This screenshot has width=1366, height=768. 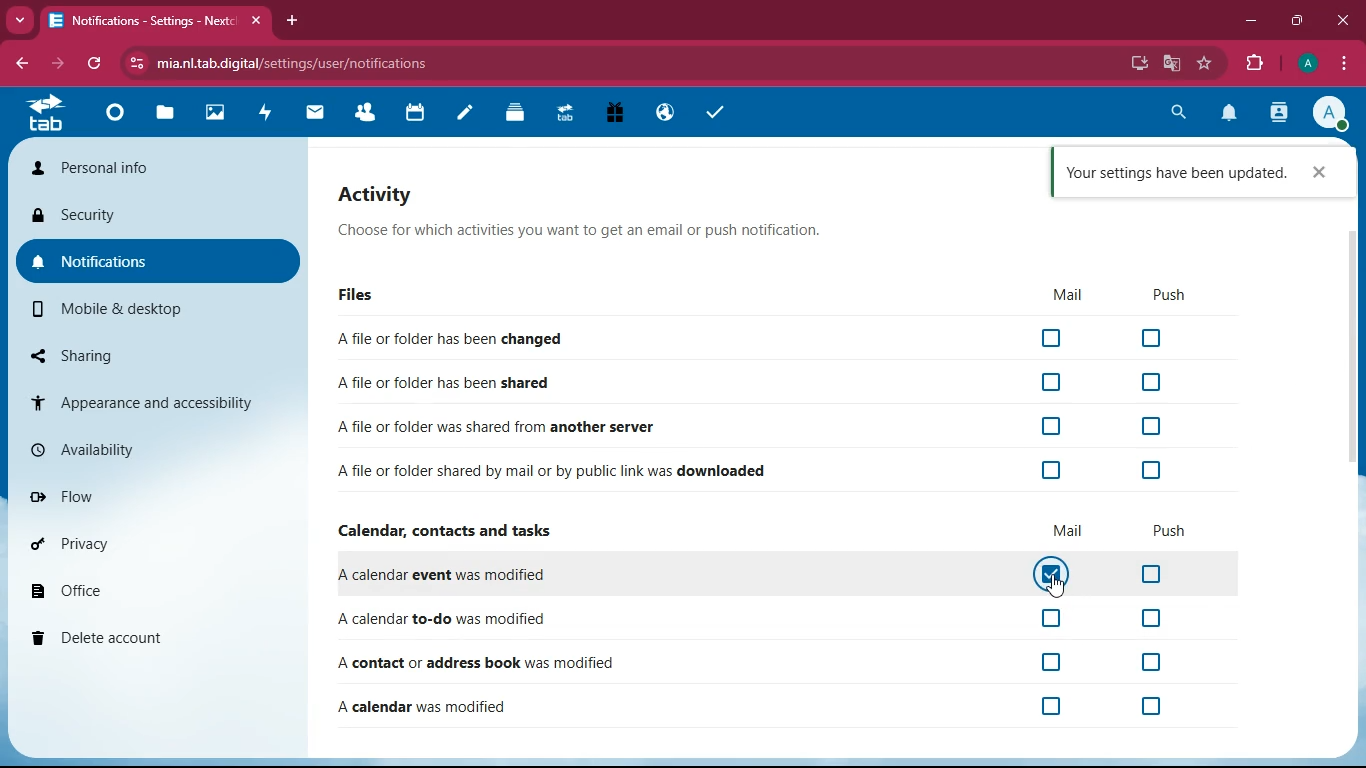 I want to click on availability, so click(x=159, y=451).